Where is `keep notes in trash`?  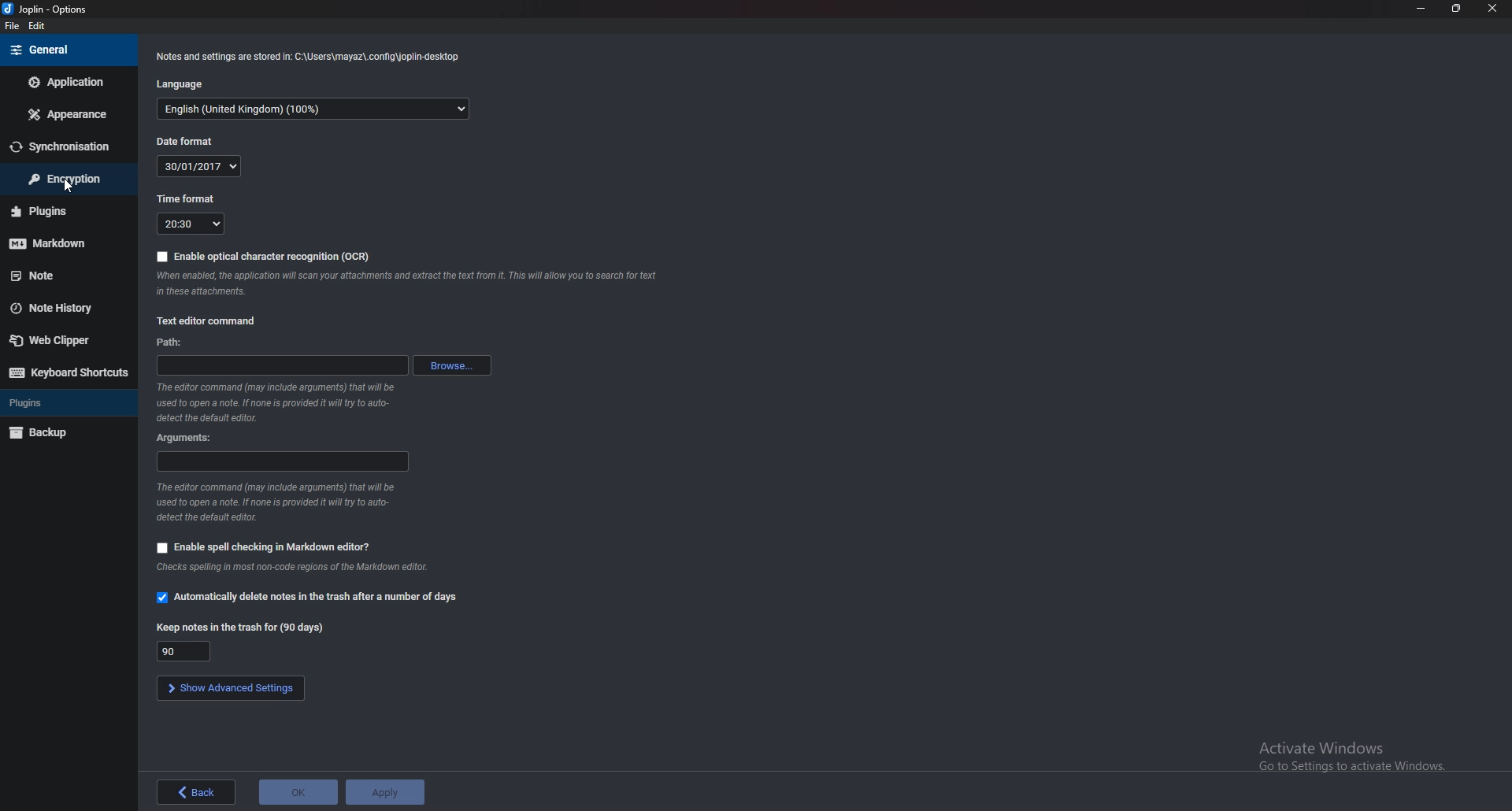 keep notes in trash is located at coordinates (241, 627).